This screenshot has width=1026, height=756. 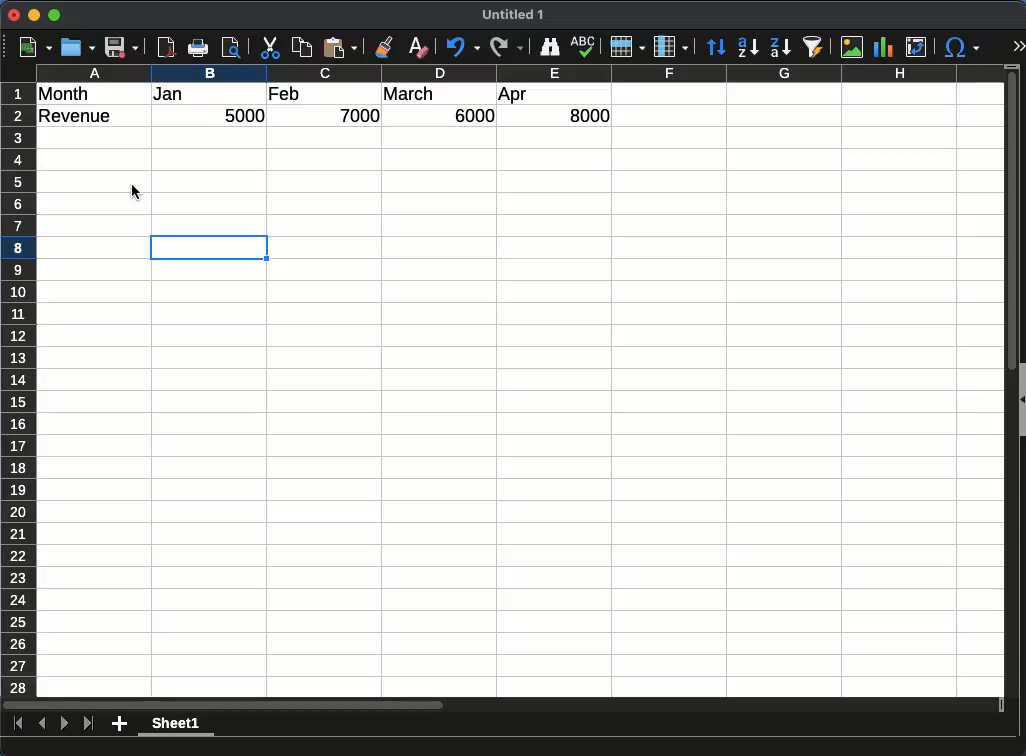 I want to click on clear formatting , so click(x=419, y=47).